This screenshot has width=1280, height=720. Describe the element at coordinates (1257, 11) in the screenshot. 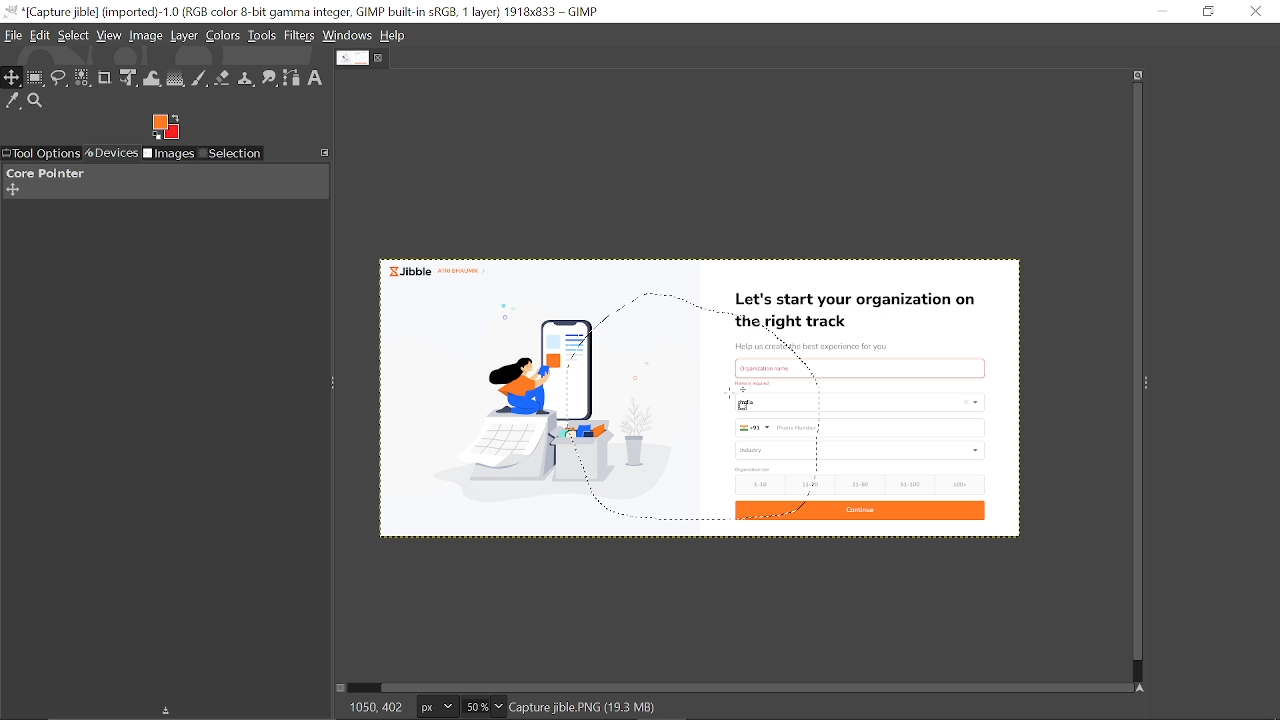

I see `Close` at that location.